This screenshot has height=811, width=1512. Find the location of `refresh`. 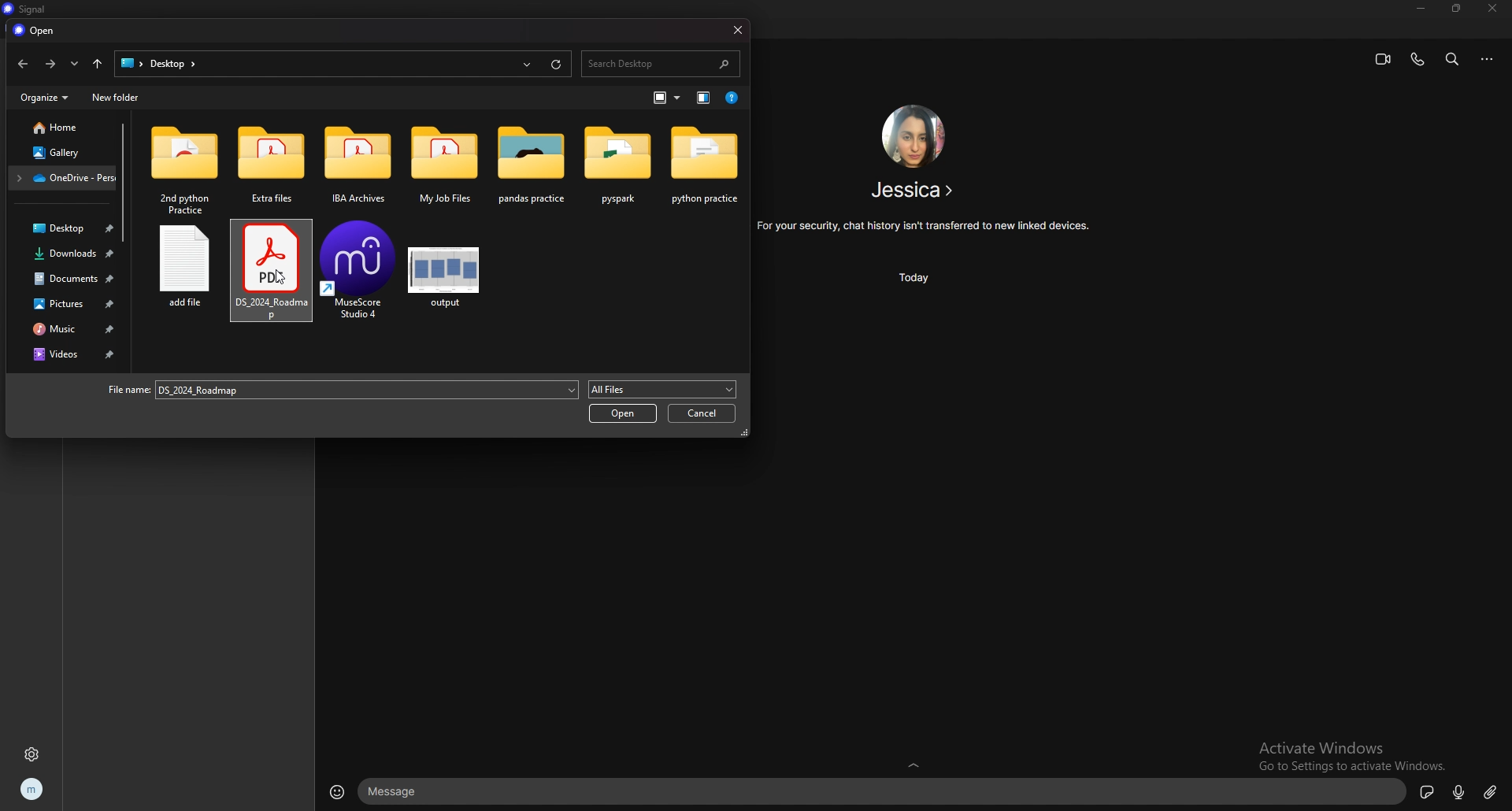

refresh is located at coordinates (556, 63).